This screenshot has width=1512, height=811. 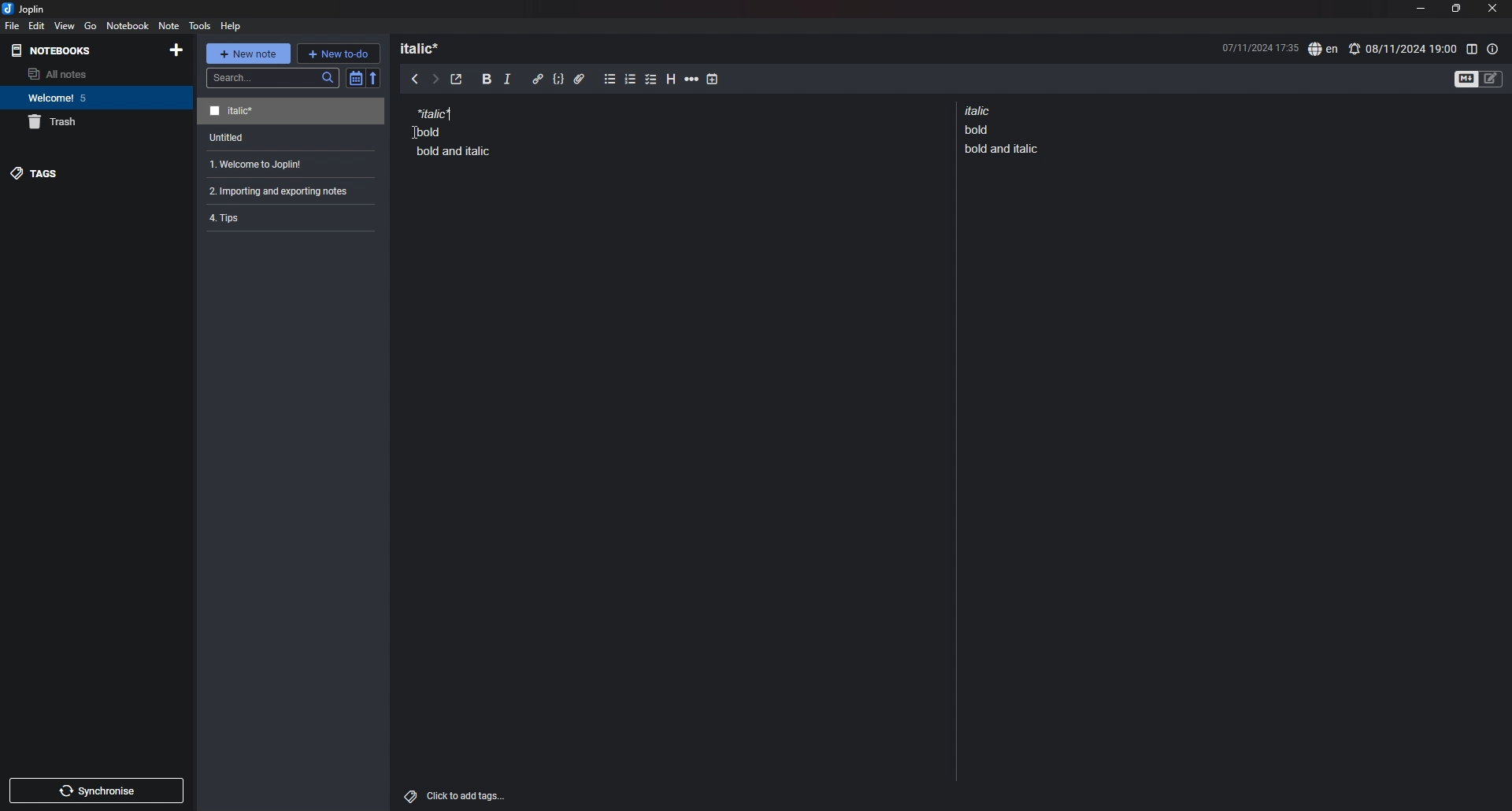 What do you see at coordinates (95, 173) in the screenshot?
I see `tags` at bounding box center [95, 173].